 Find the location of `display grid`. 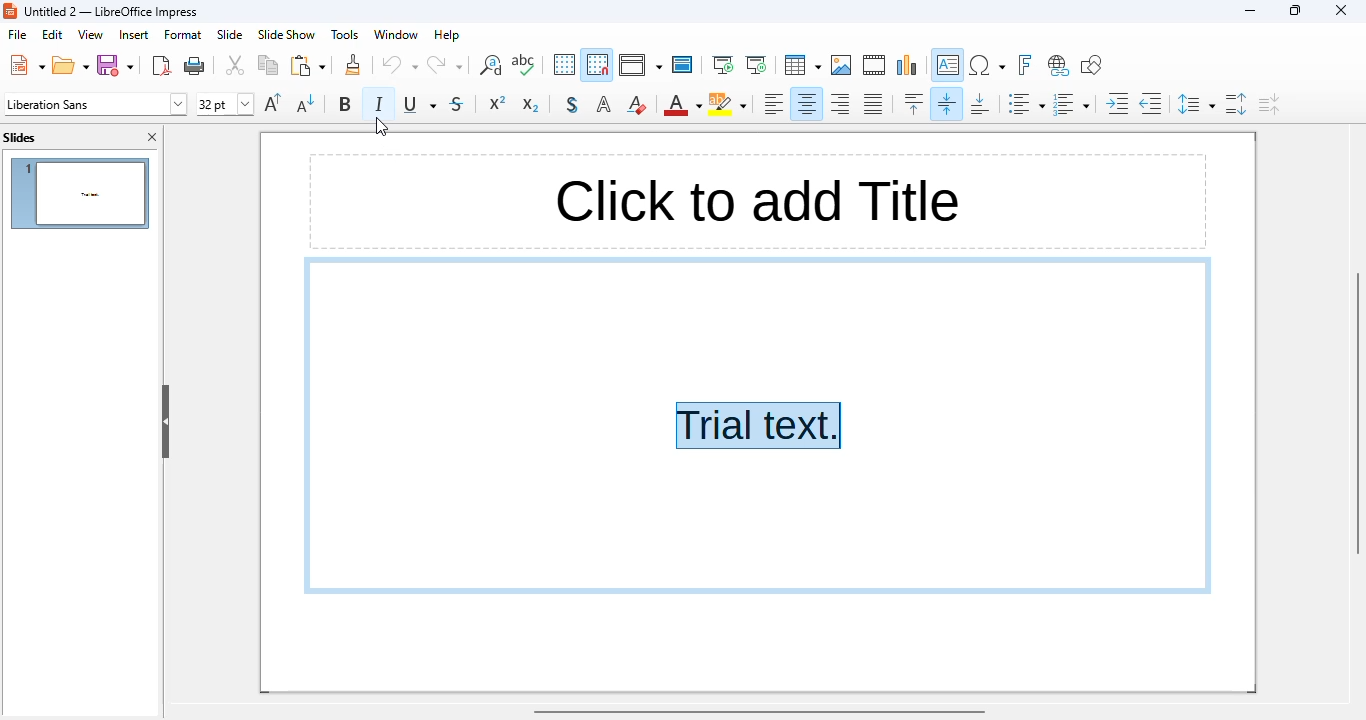

display grid is located at coordinates (563, 65).